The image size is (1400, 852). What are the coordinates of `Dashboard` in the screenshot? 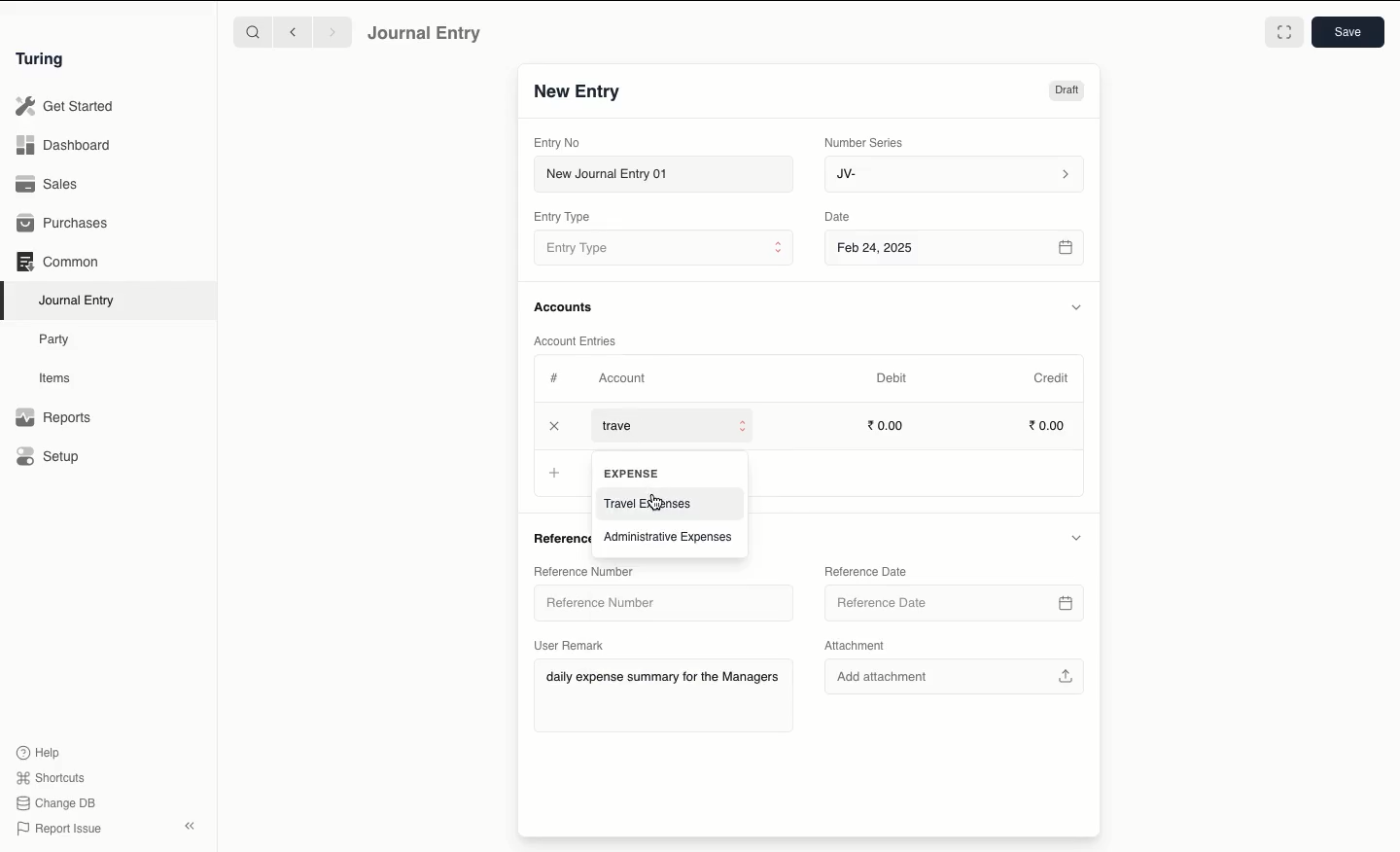 It's located at (63, 146).